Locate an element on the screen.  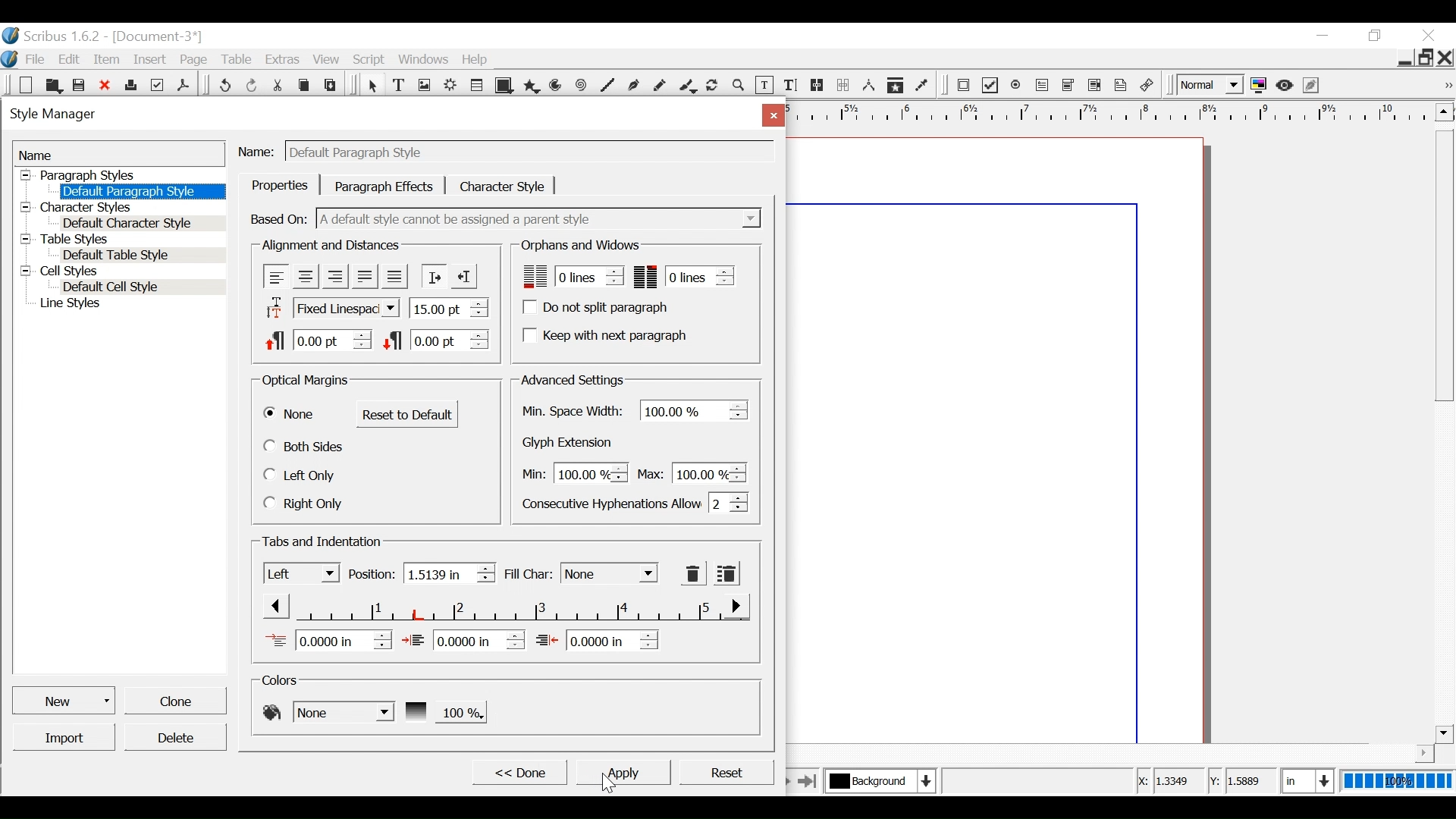
Cursor is located at coordinates (604, 780).